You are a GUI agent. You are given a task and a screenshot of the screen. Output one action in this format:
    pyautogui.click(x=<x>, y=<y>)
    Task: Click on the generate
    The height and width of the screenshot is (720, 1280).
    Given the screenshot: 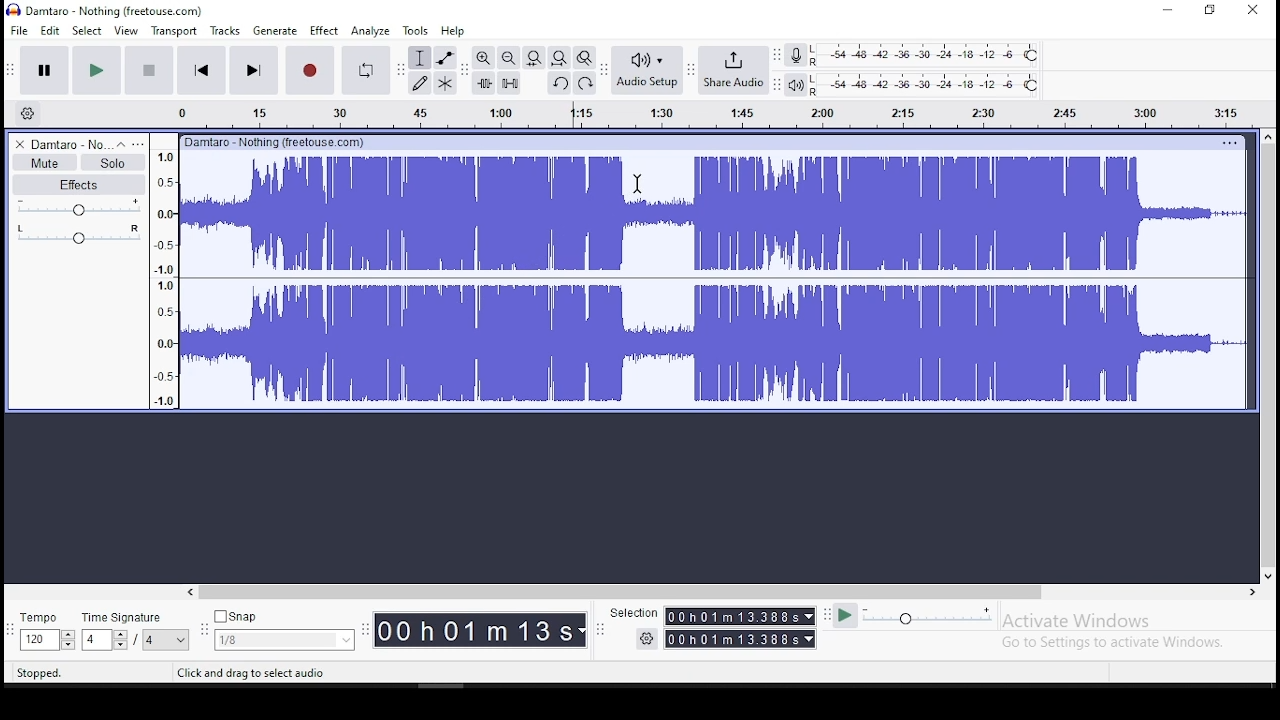 What is the action you would take?
    pyautogui.click(x=277, y=31)
    